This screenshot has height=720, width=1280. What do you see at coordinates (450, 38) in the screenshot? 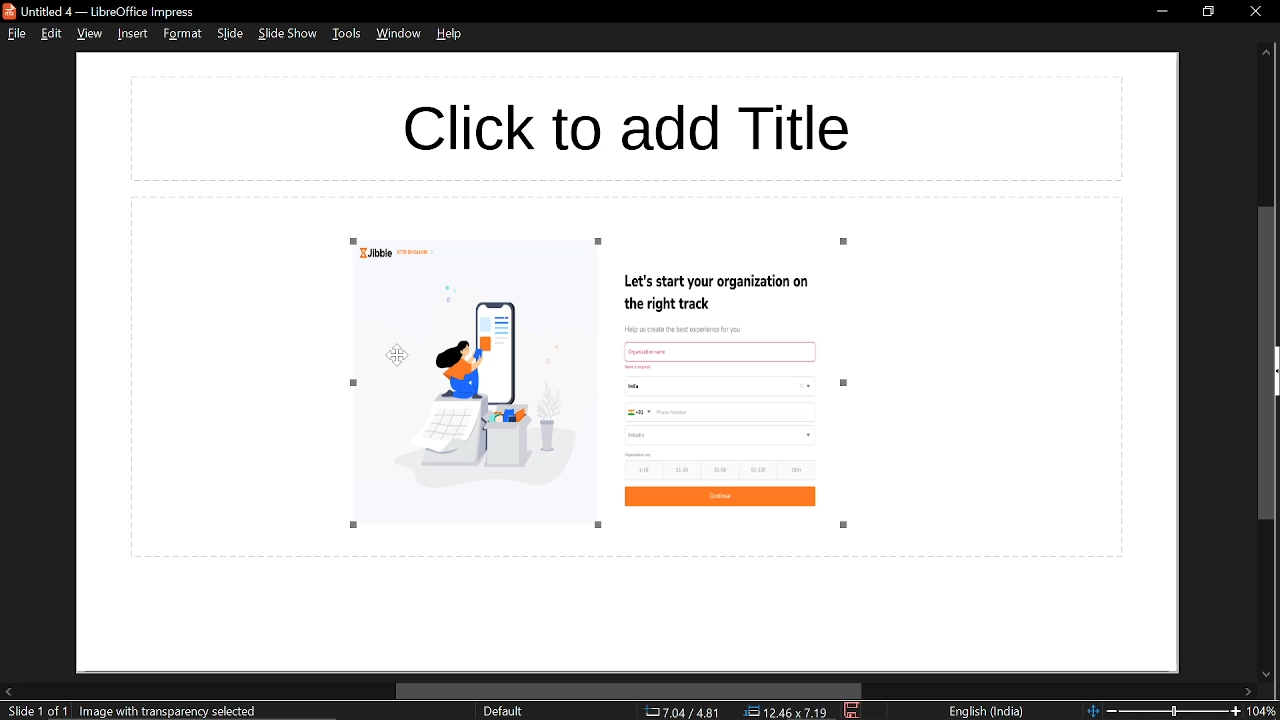
I see `help` at bounding box center [450, 38].